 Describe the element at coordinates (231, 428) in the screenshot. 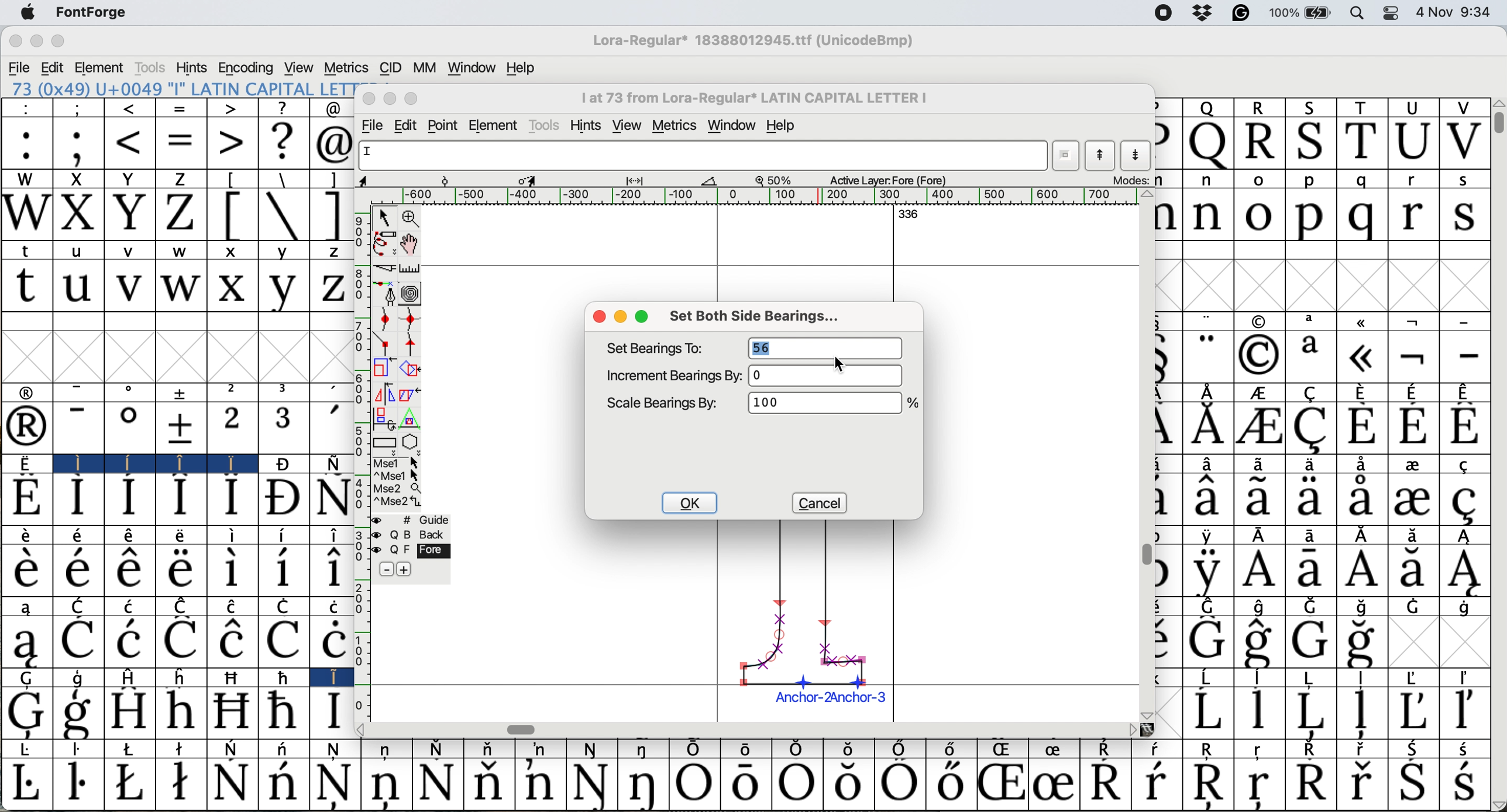

I see `2` at that location.